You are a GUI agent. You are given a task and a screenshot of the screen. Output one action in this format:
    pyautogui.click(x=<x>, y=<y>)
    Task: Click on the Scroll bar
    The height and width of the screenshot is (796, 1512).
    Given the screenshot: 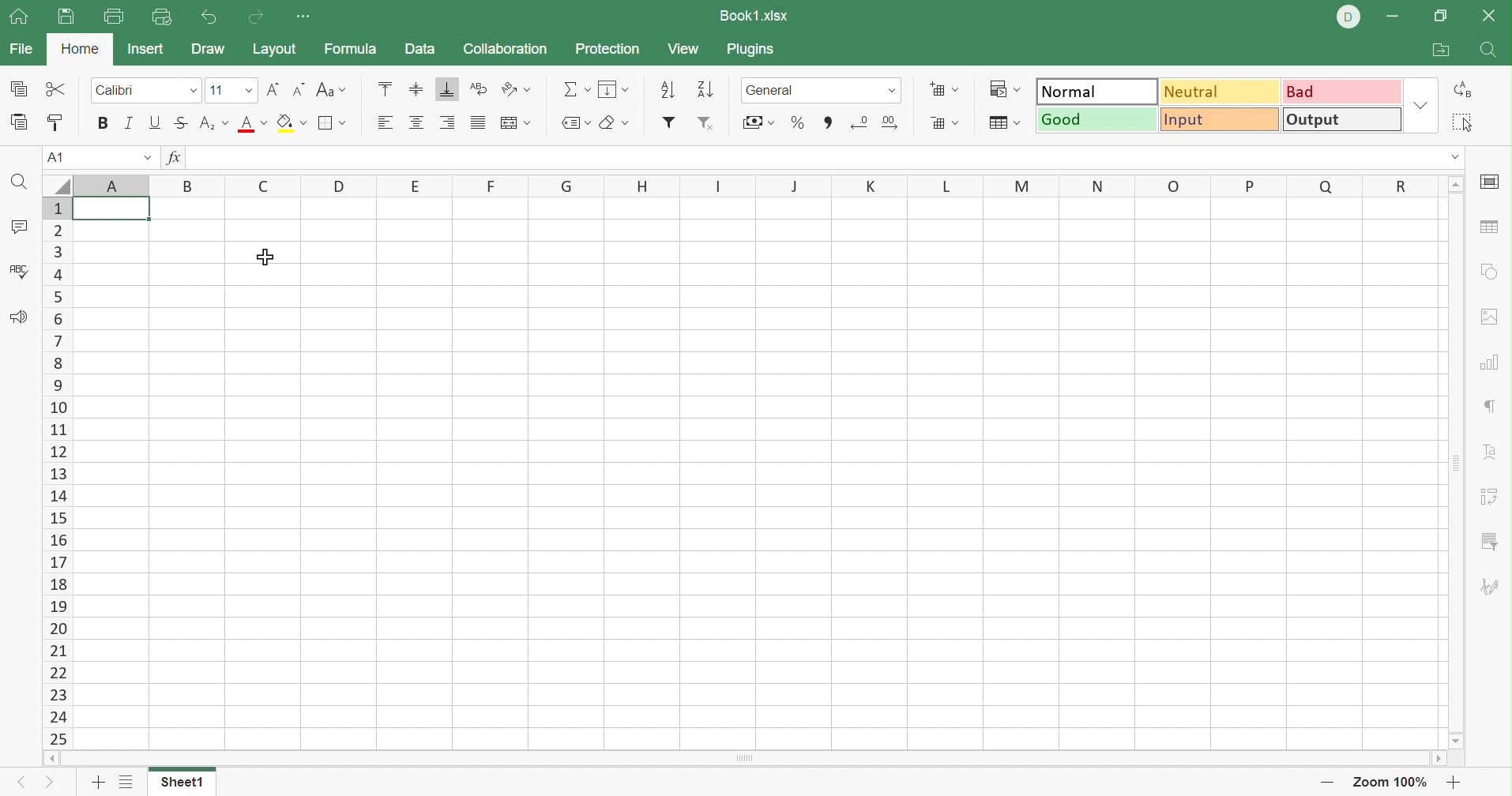 What is the action you would take?
    pyautogui.click(x=1453, y=464)
    